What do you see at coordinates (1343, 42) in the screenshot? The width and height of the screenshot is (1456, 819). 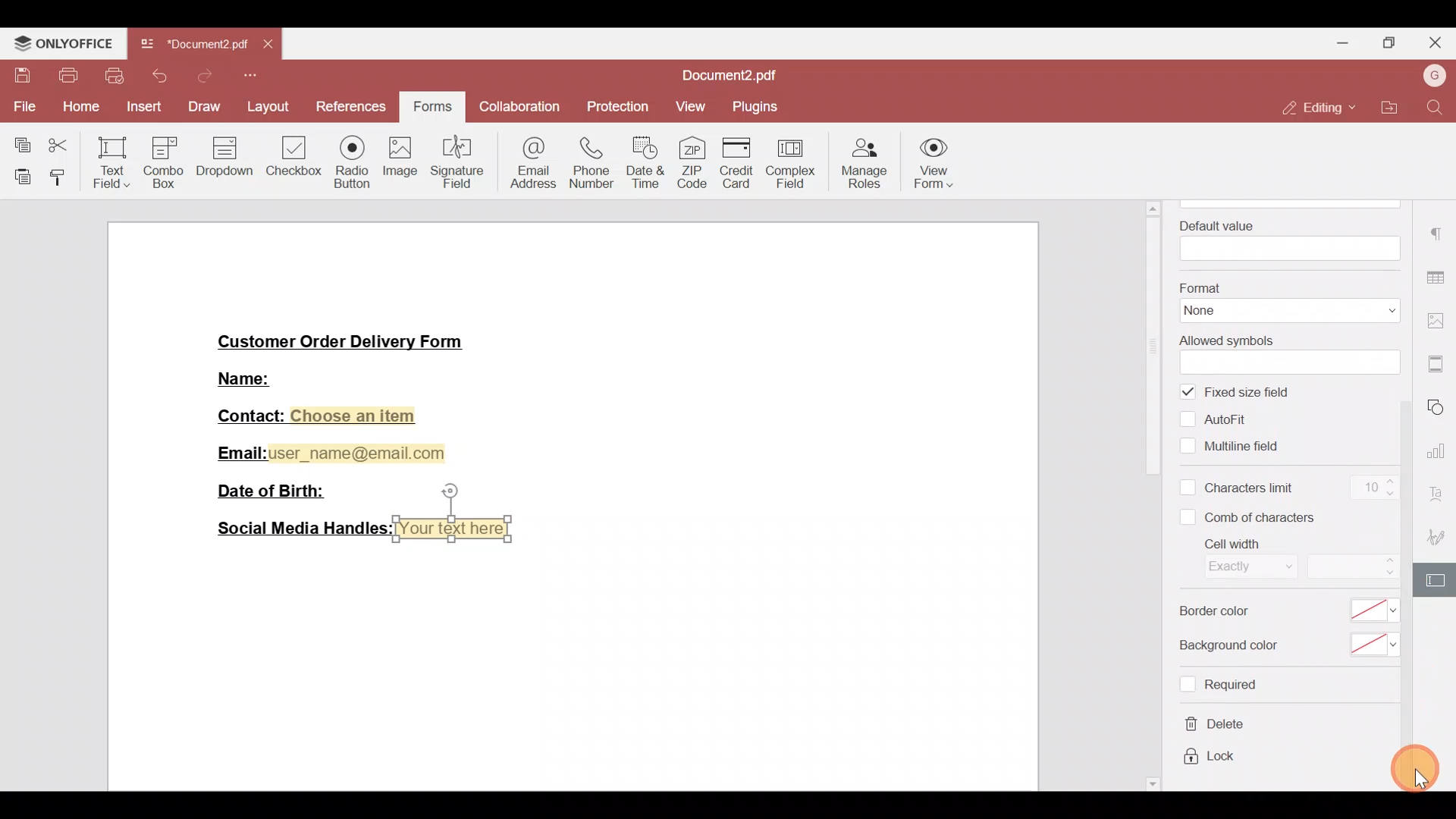 I see `Minimize` at bounding box center [1343, 42].